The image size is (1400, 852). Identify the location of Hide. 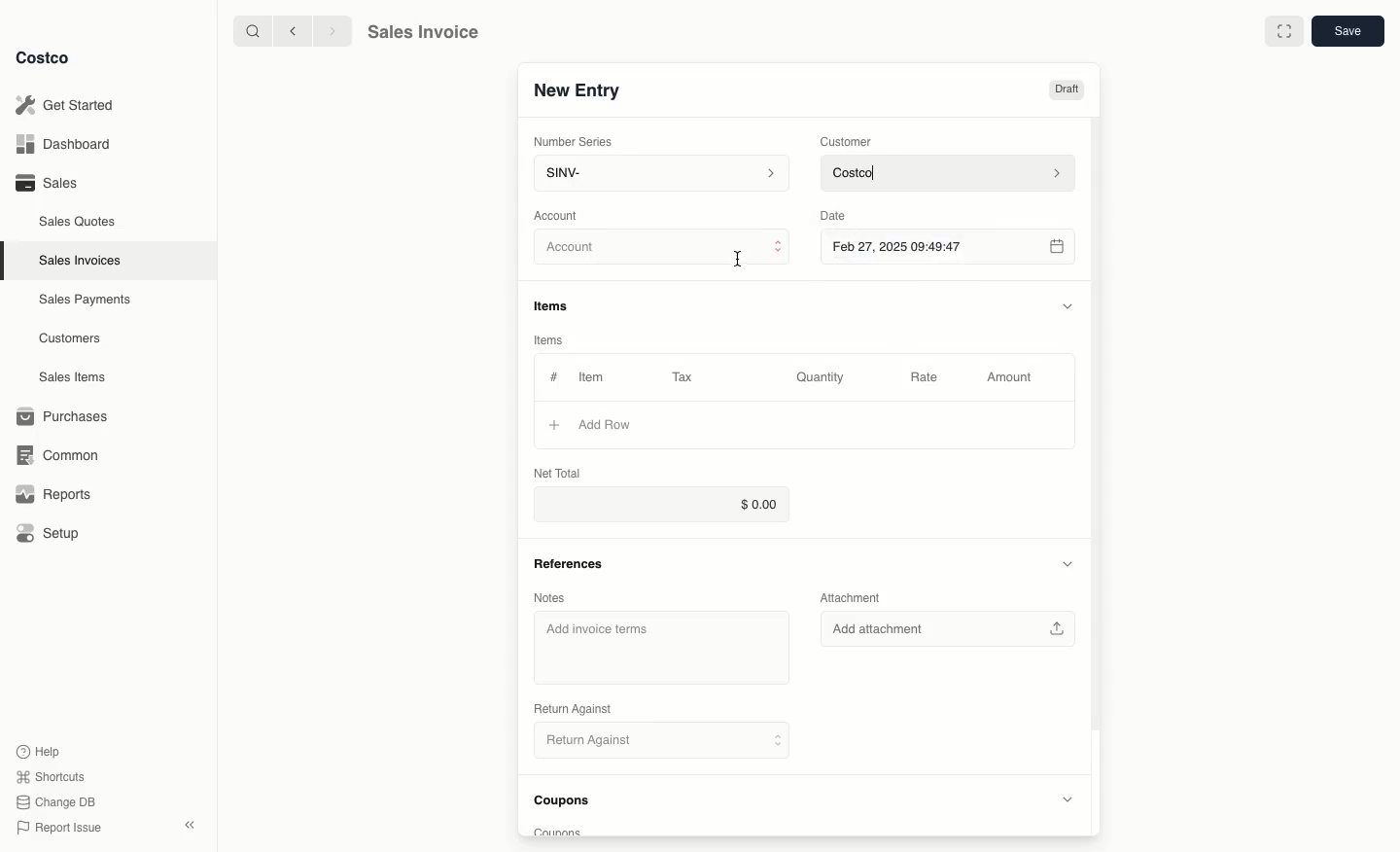
(1067, 303).